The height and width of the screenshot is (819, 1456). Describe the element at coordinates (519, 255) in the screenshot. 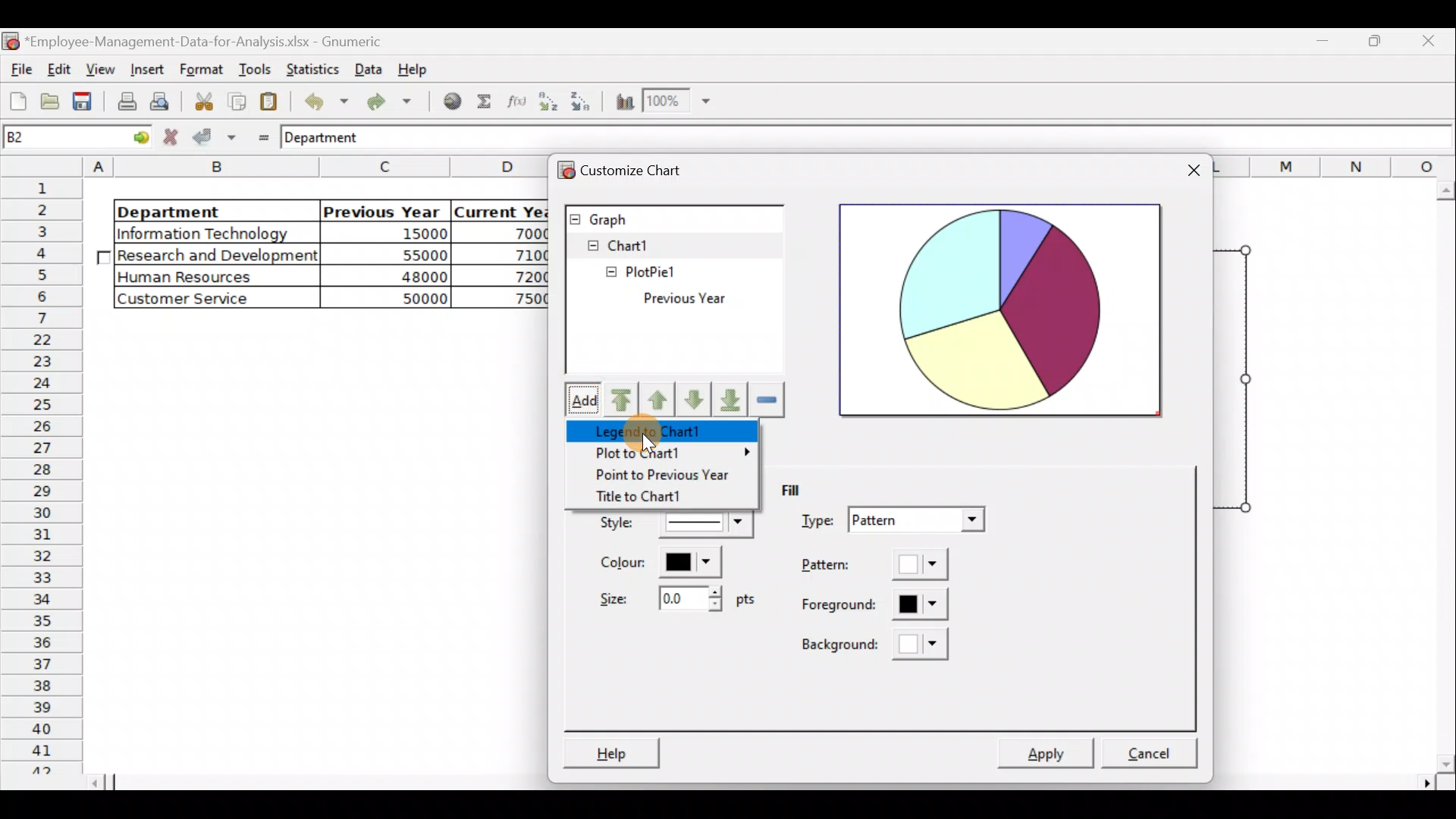

I see `71000` at that location.